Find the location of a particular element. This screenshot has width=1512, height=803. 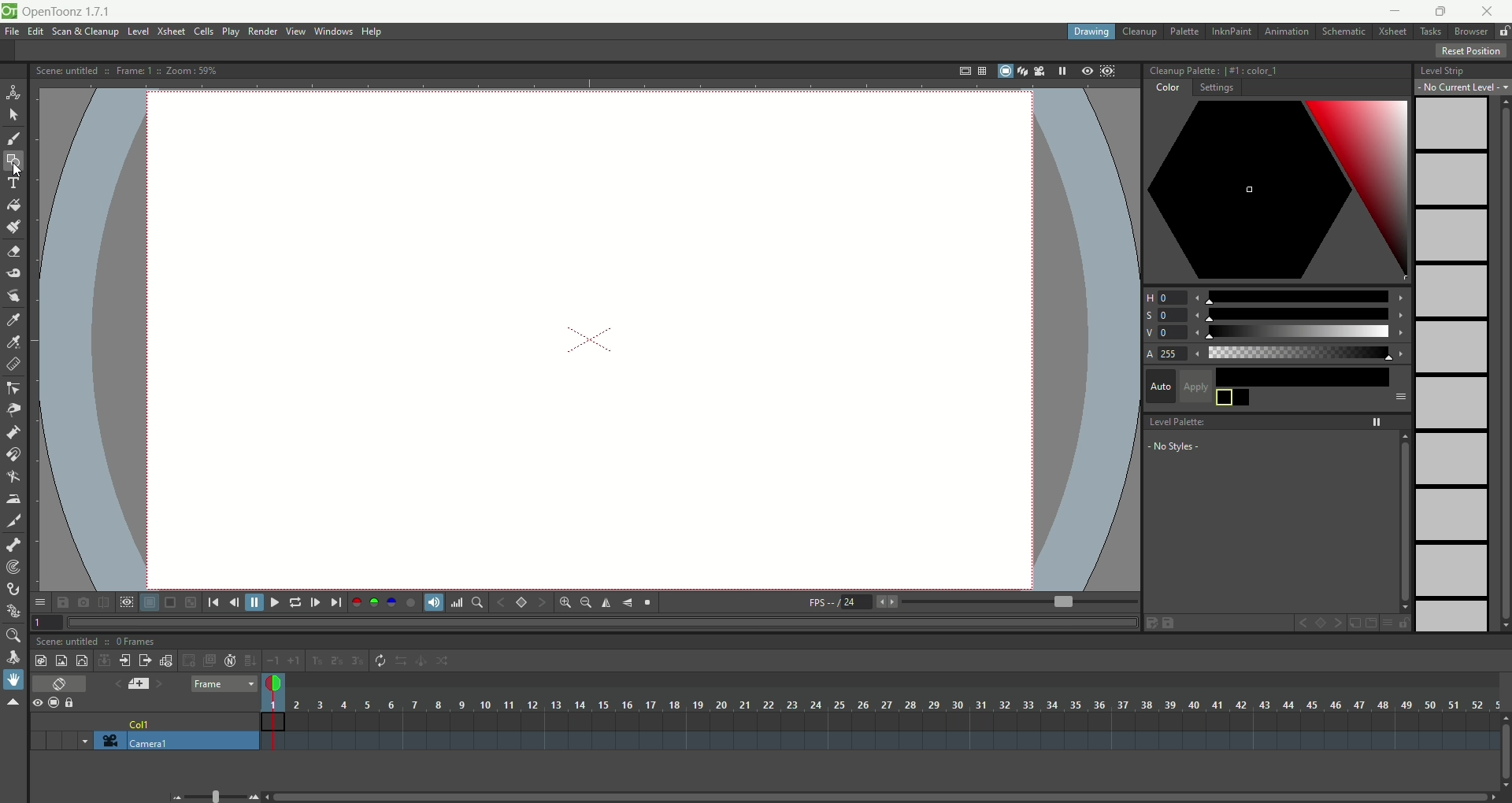

preview visibility is located at coordinates (37, 704).